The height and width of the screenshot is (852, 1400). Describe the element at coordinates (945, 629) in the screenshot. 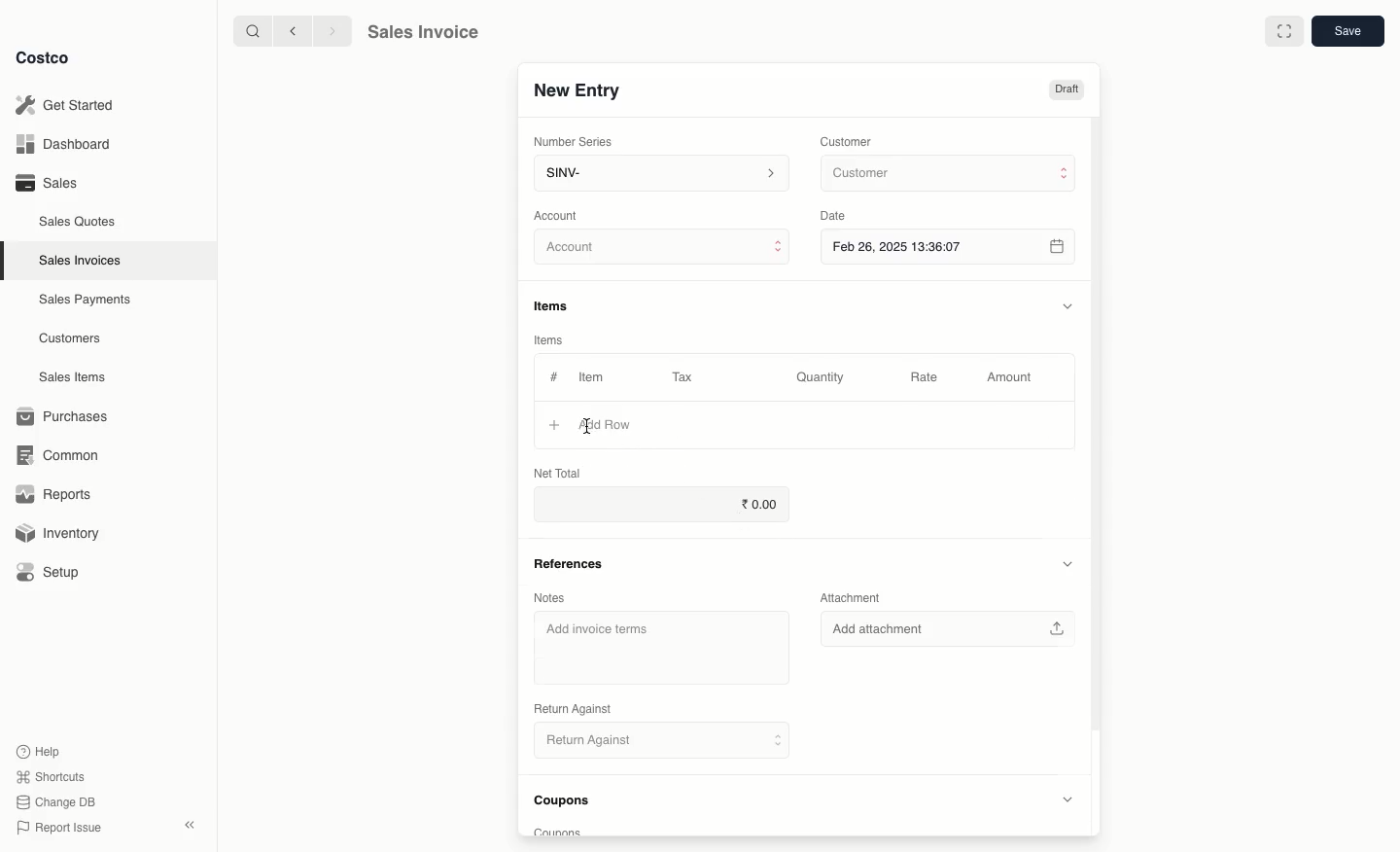

I see `‘Add attachment` at that location.